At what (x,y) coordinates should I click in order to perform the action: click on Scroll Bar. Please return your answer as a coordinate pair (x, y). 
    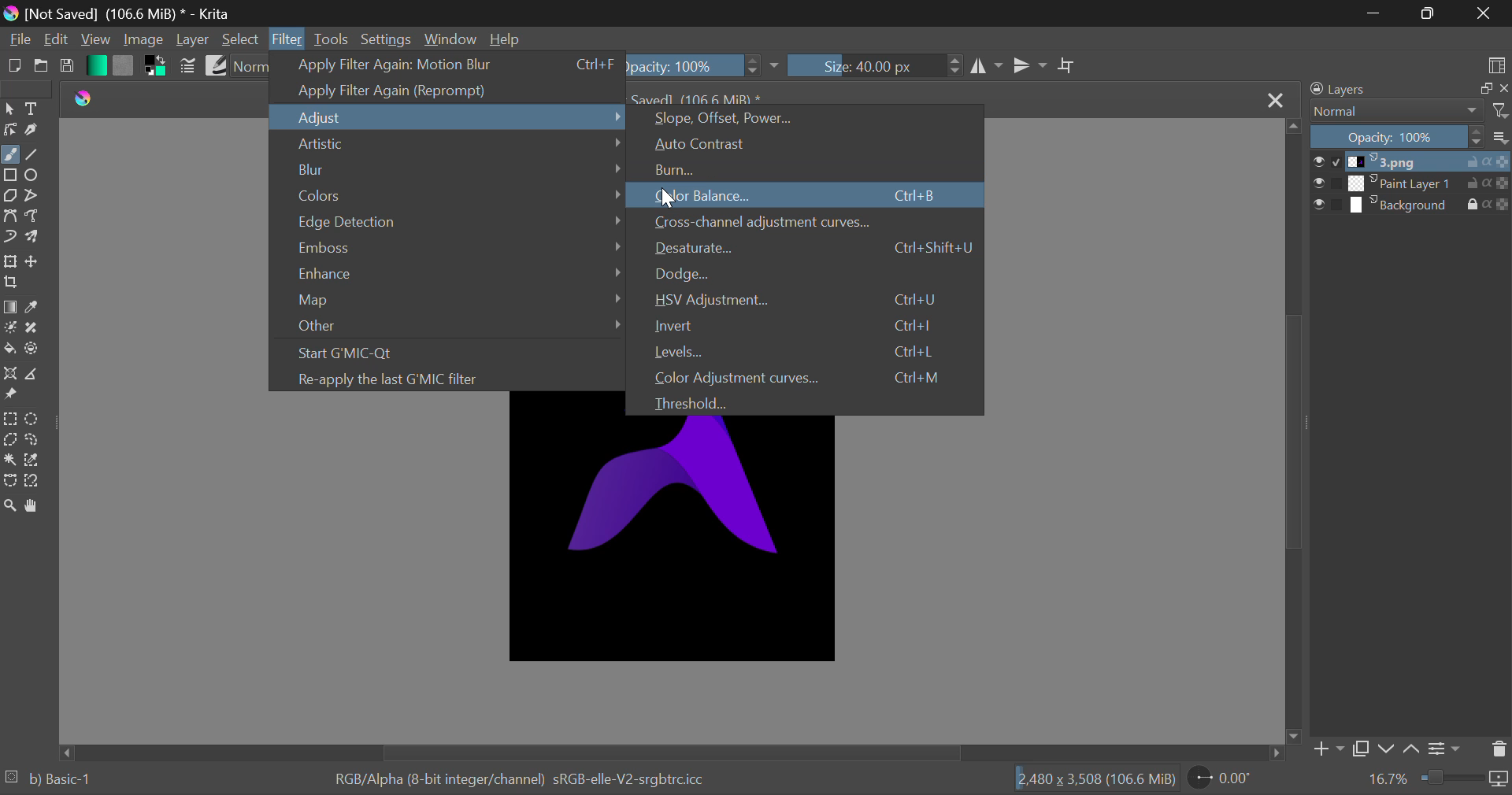
    Looking at the image, I should click on (1295, 432).